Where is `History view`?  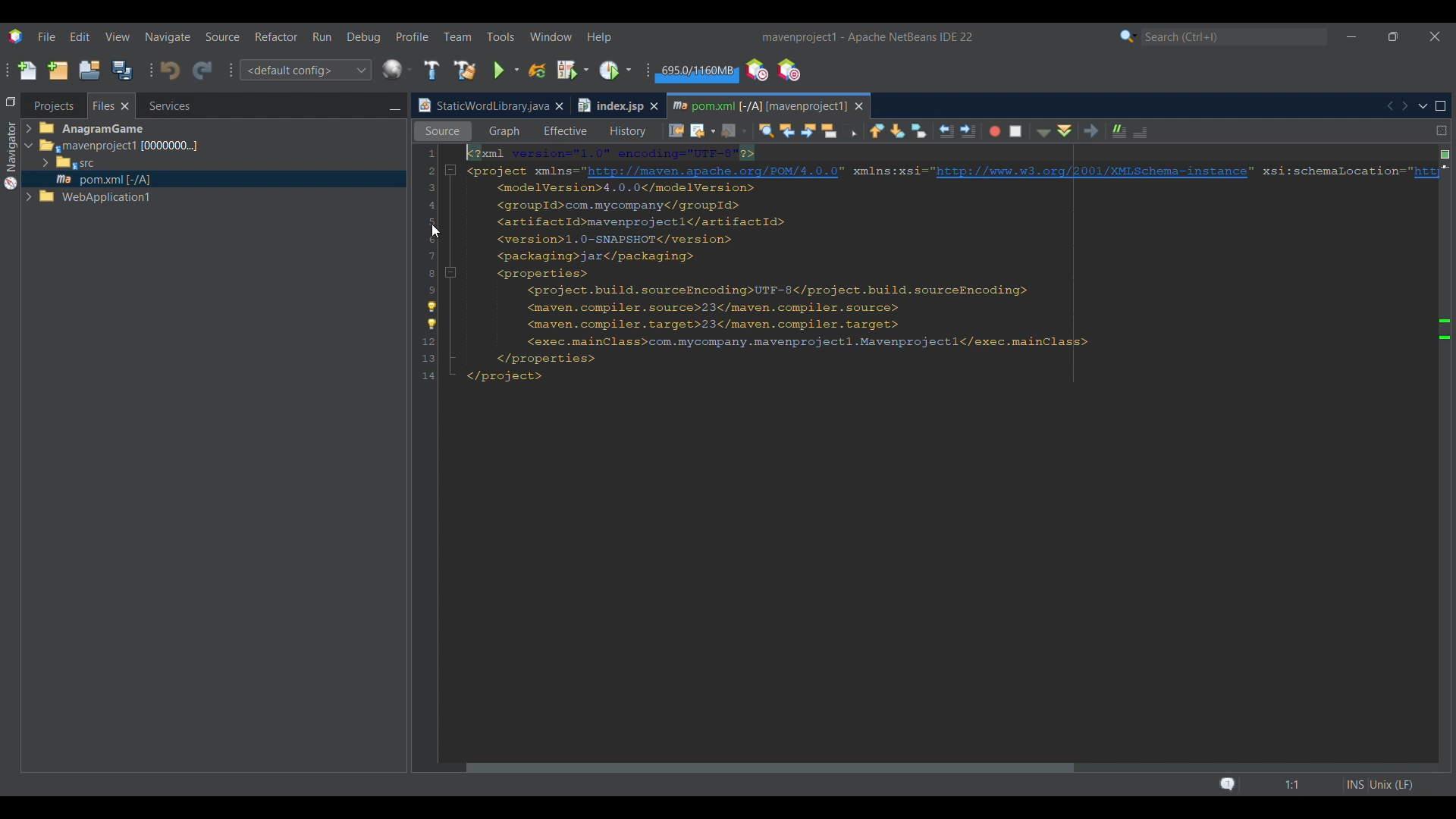
History view is located at coordinates (624, 129).